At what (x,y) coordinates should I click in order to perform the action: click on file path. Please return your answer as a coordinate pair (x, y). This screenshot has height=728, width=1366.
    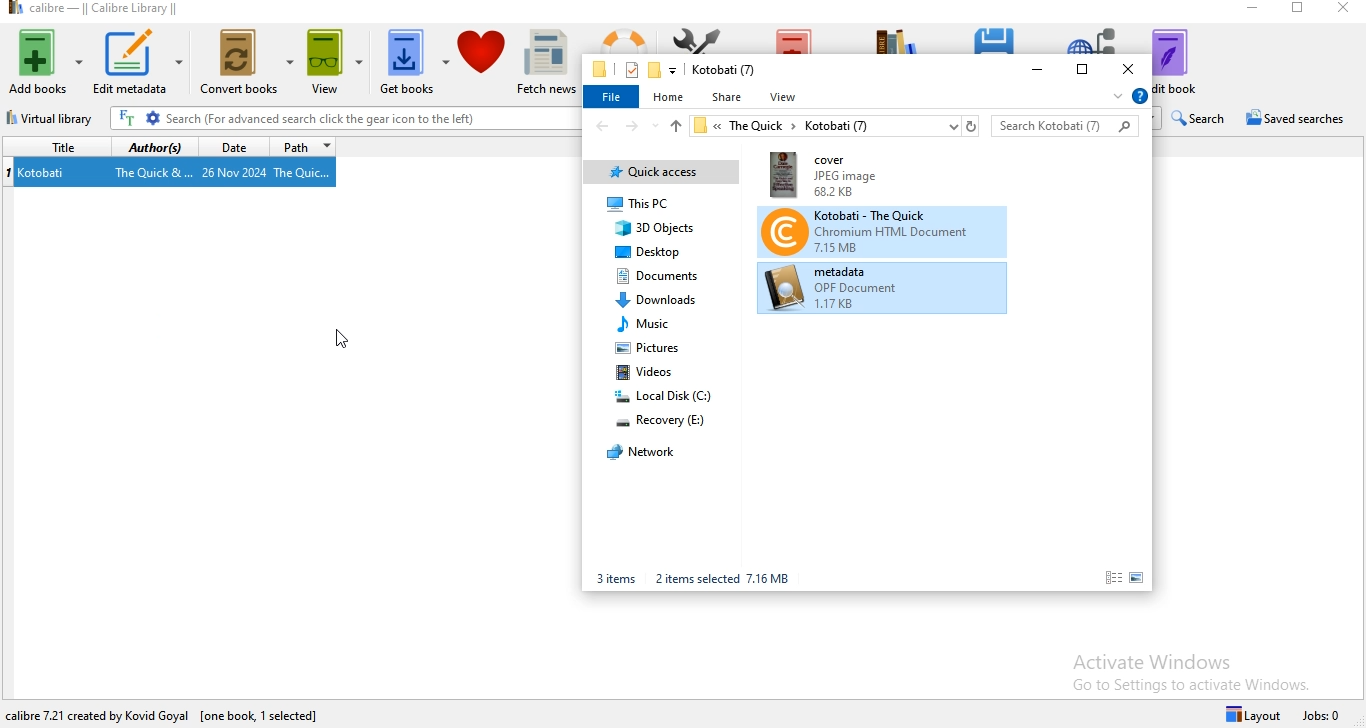
    Looking at the image, I should click on (836, 126).